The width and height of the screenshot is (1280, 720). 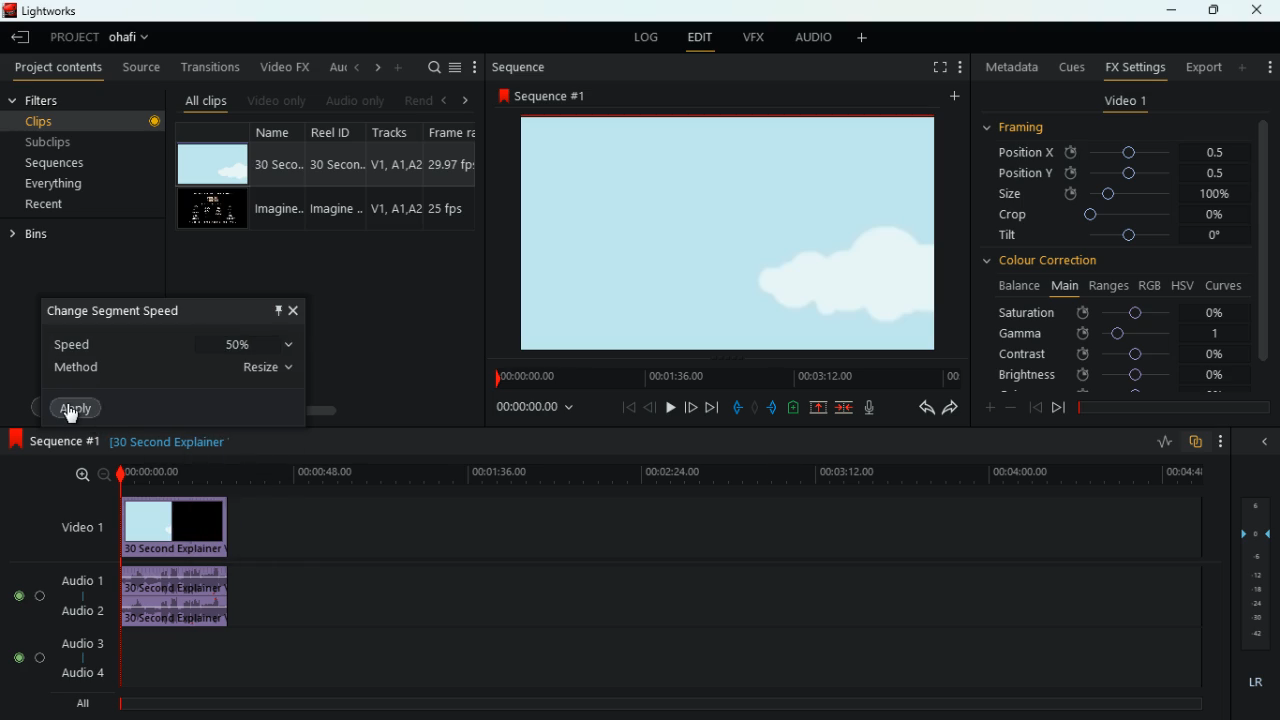 I want to click on cues, so click(x=1067, y=66).